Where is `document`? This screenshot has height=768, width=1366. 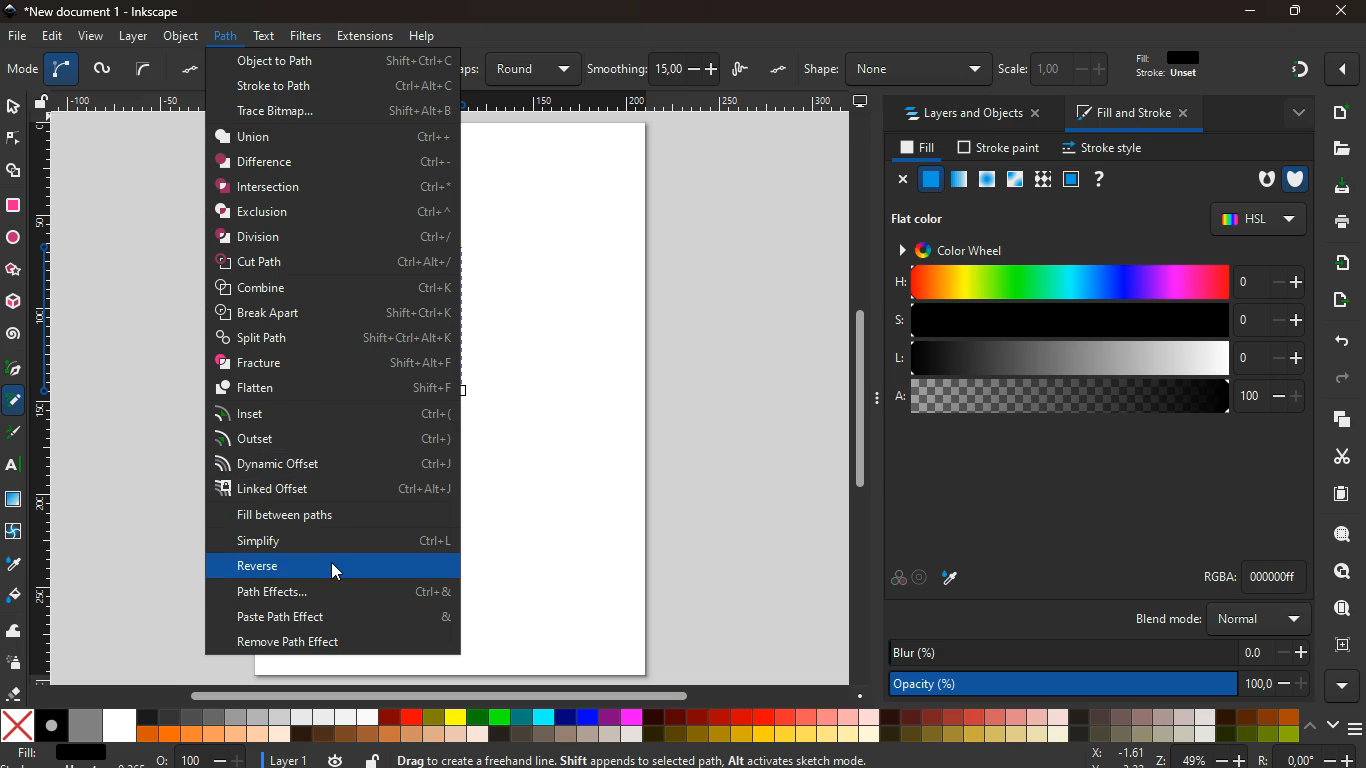 document is located at coordinates (1343, 493).